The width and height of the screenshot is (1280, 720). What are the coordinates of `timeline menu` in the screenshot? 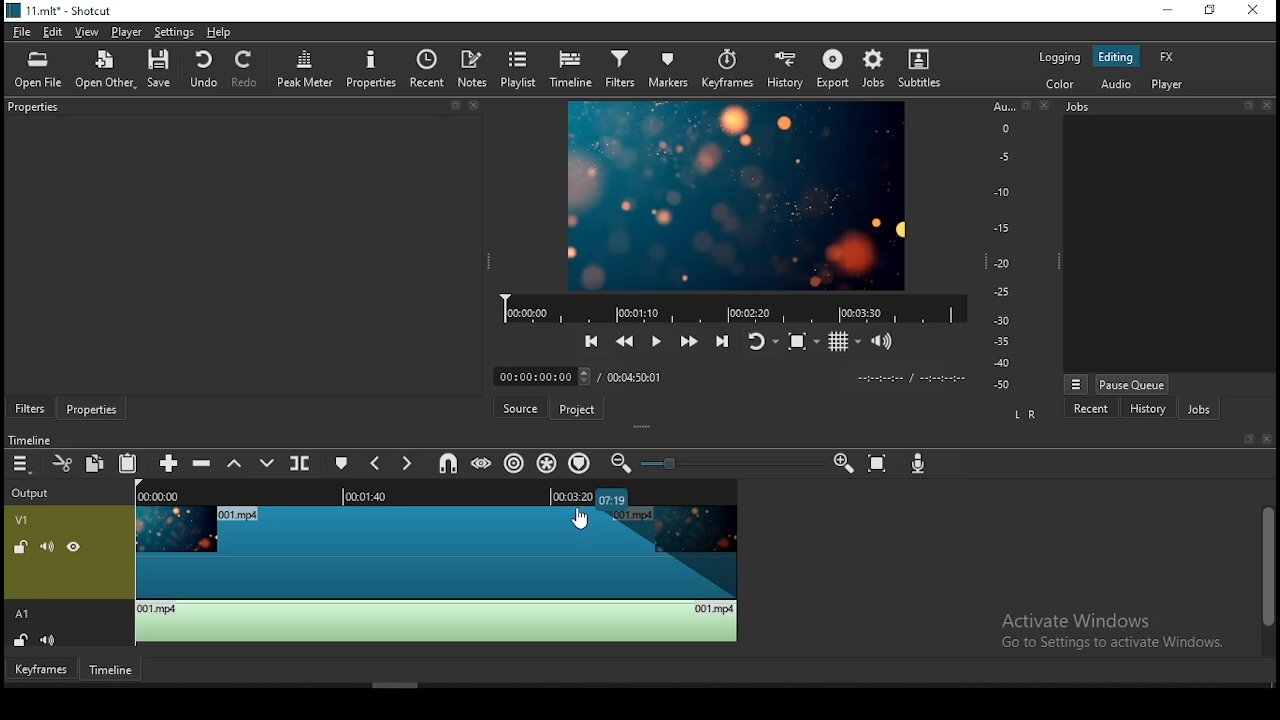 It's located at (20, 464).